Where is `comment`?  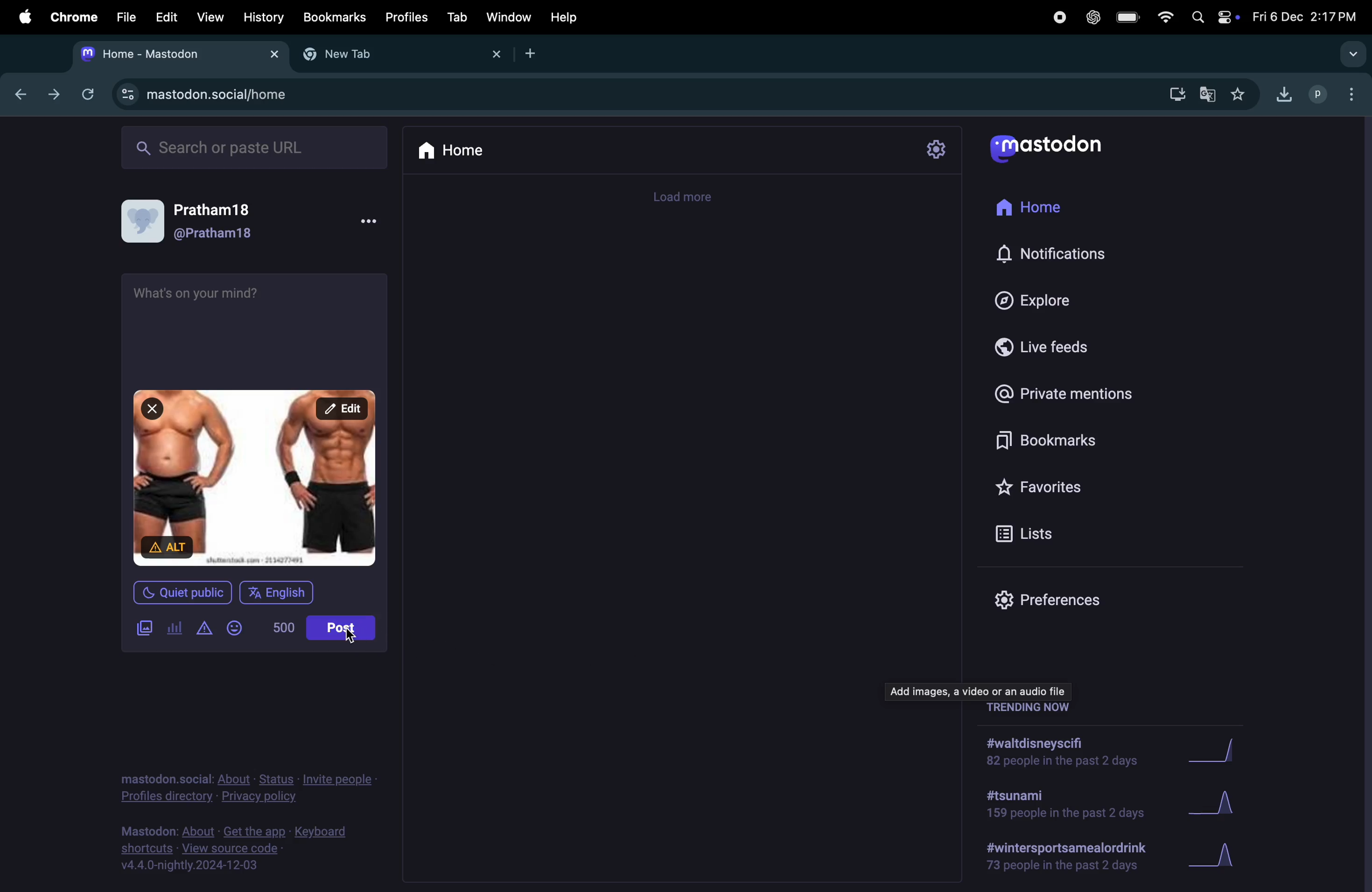 comment is located at coordinates (982, 691).